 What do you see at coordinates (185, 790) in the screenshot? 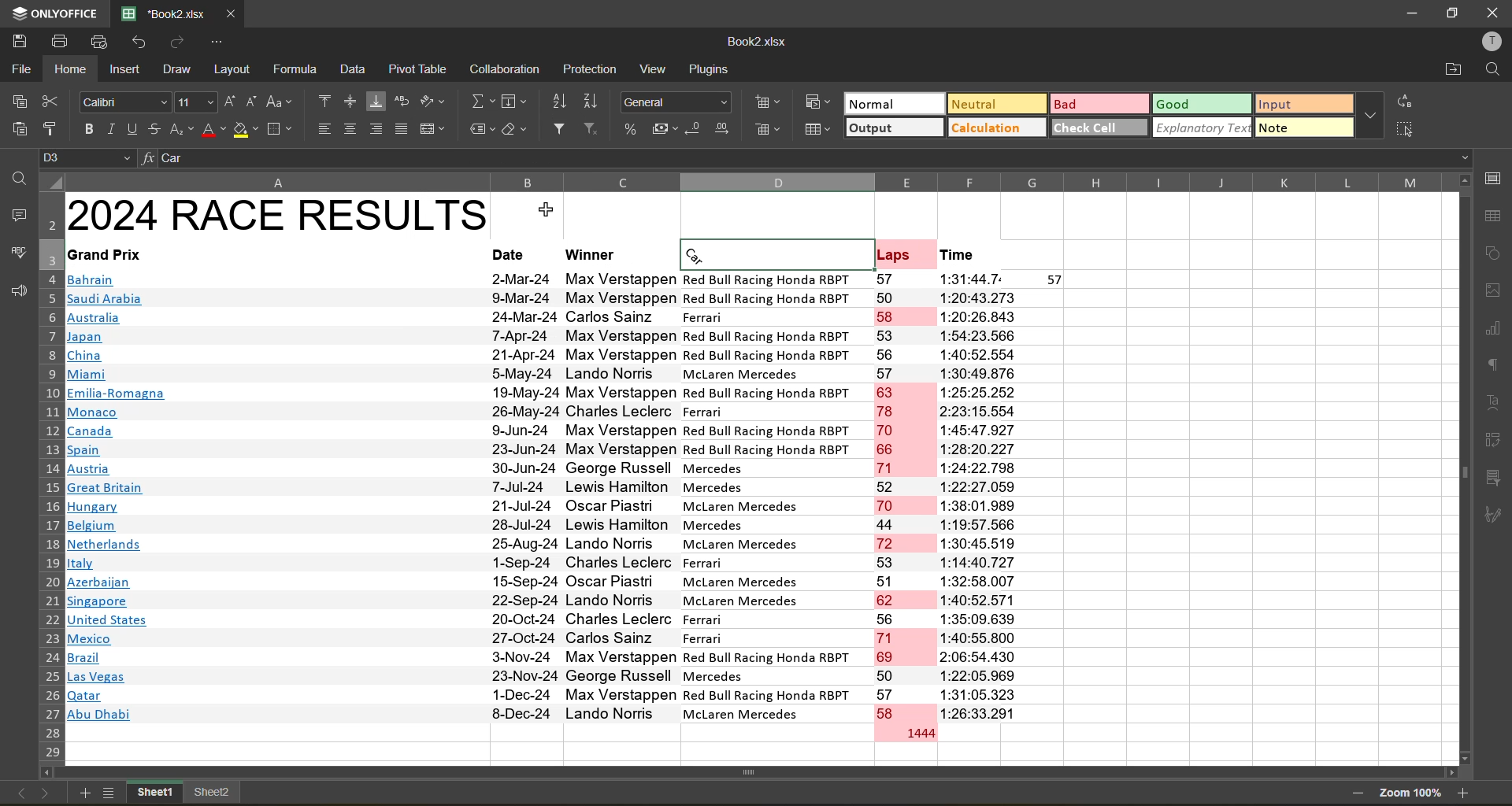
I see `sheet names` at bounding box center [185, 790].